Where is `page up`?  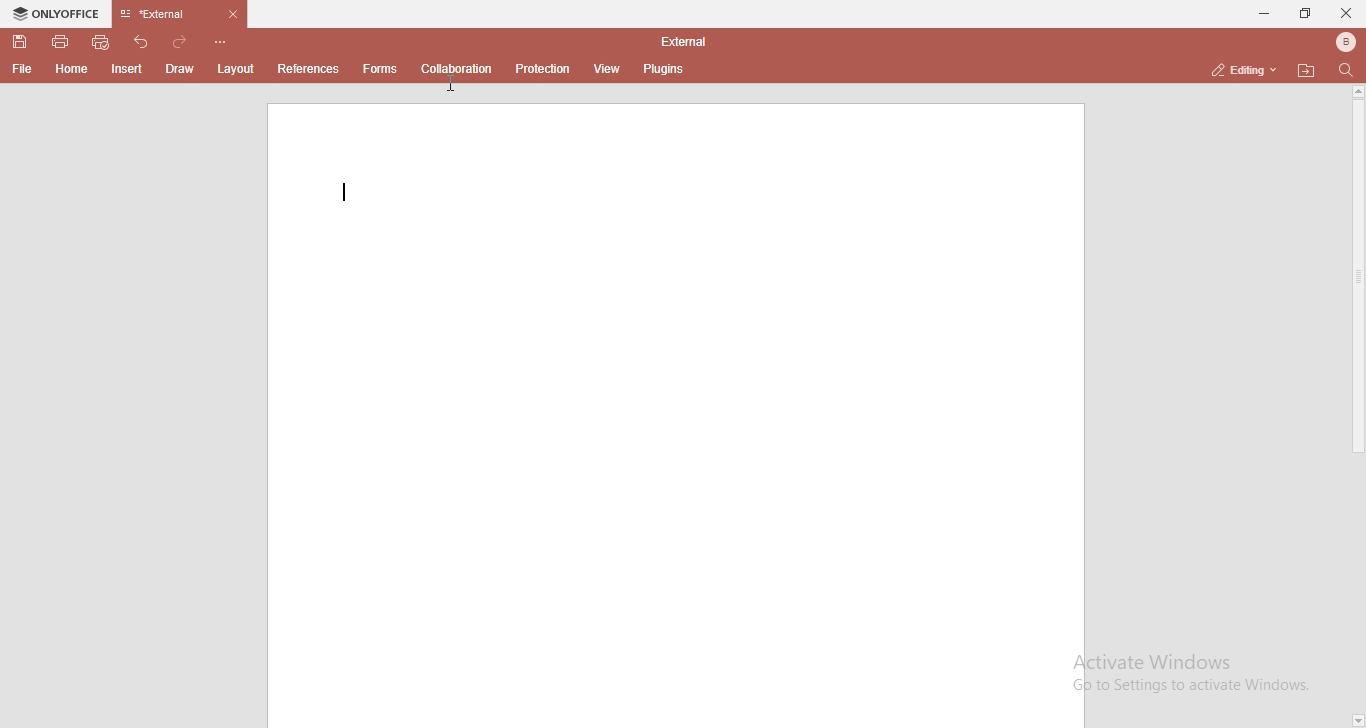 page up is located at coordinates (1357, 92).